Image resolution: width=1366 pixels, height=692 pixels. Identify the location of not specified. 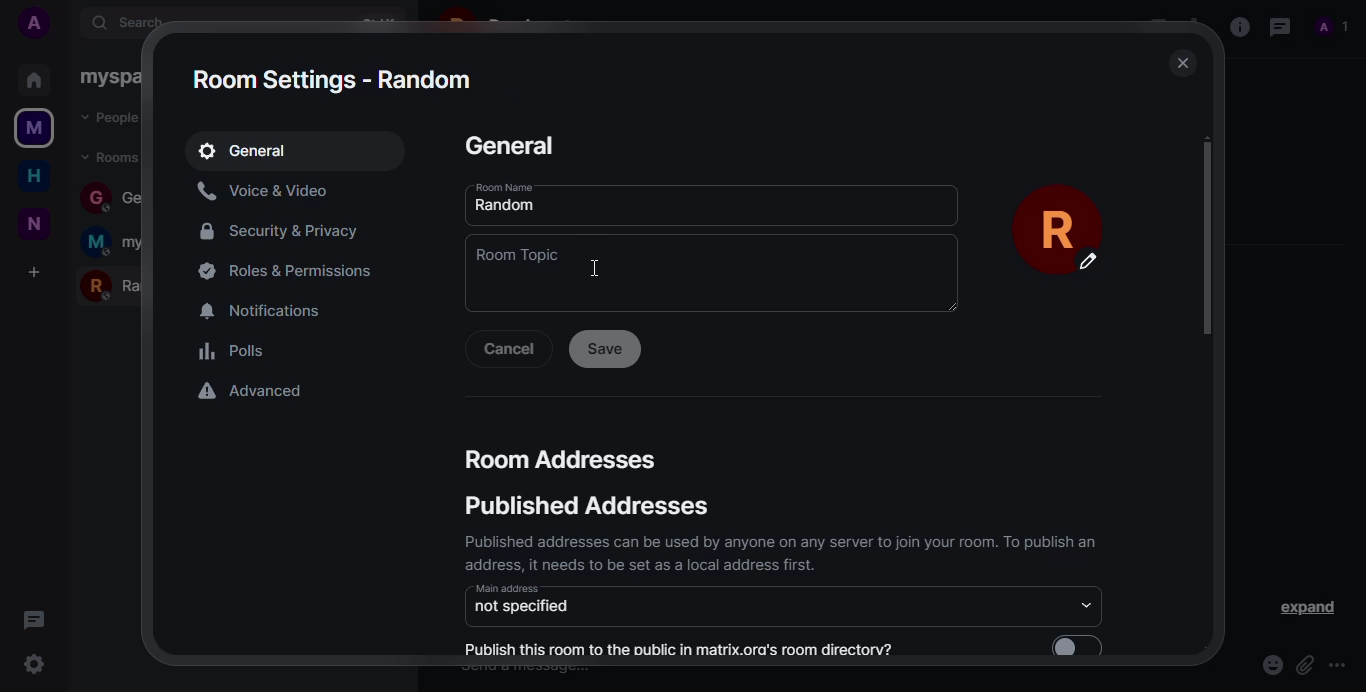
(527, 609).